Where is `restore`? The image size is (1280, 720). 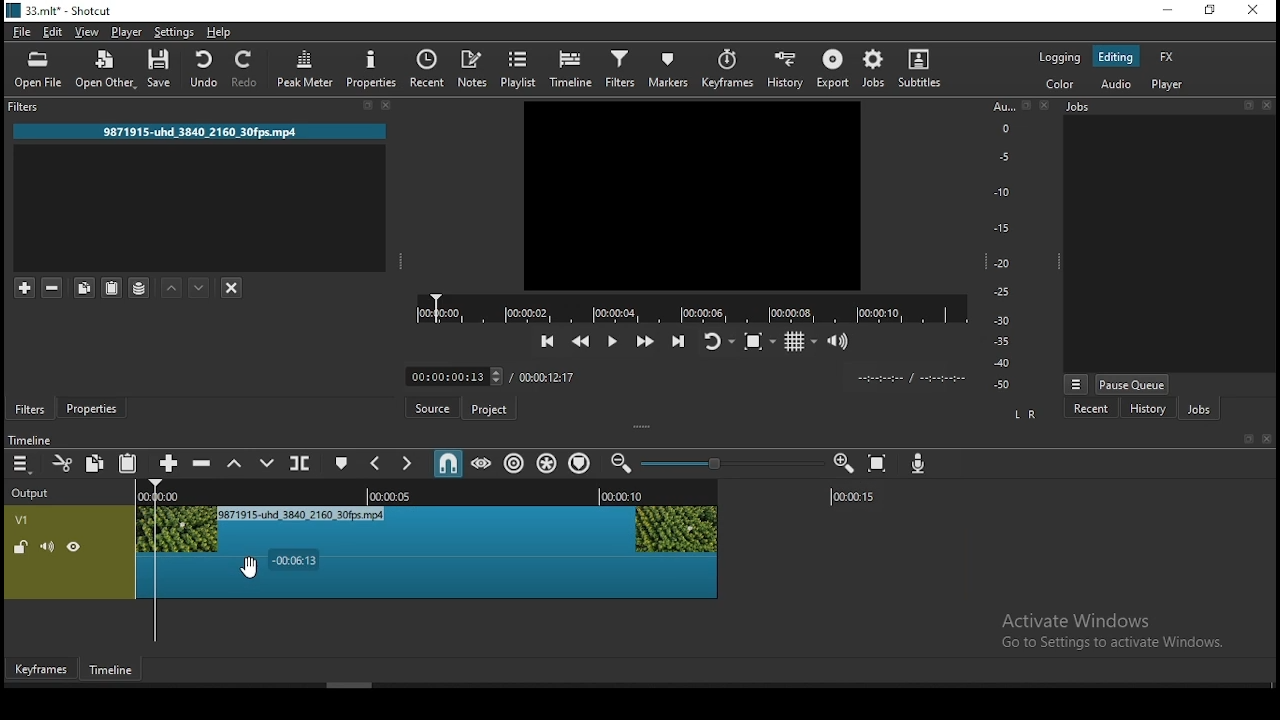
restore is located at coordinates (1211, 11).